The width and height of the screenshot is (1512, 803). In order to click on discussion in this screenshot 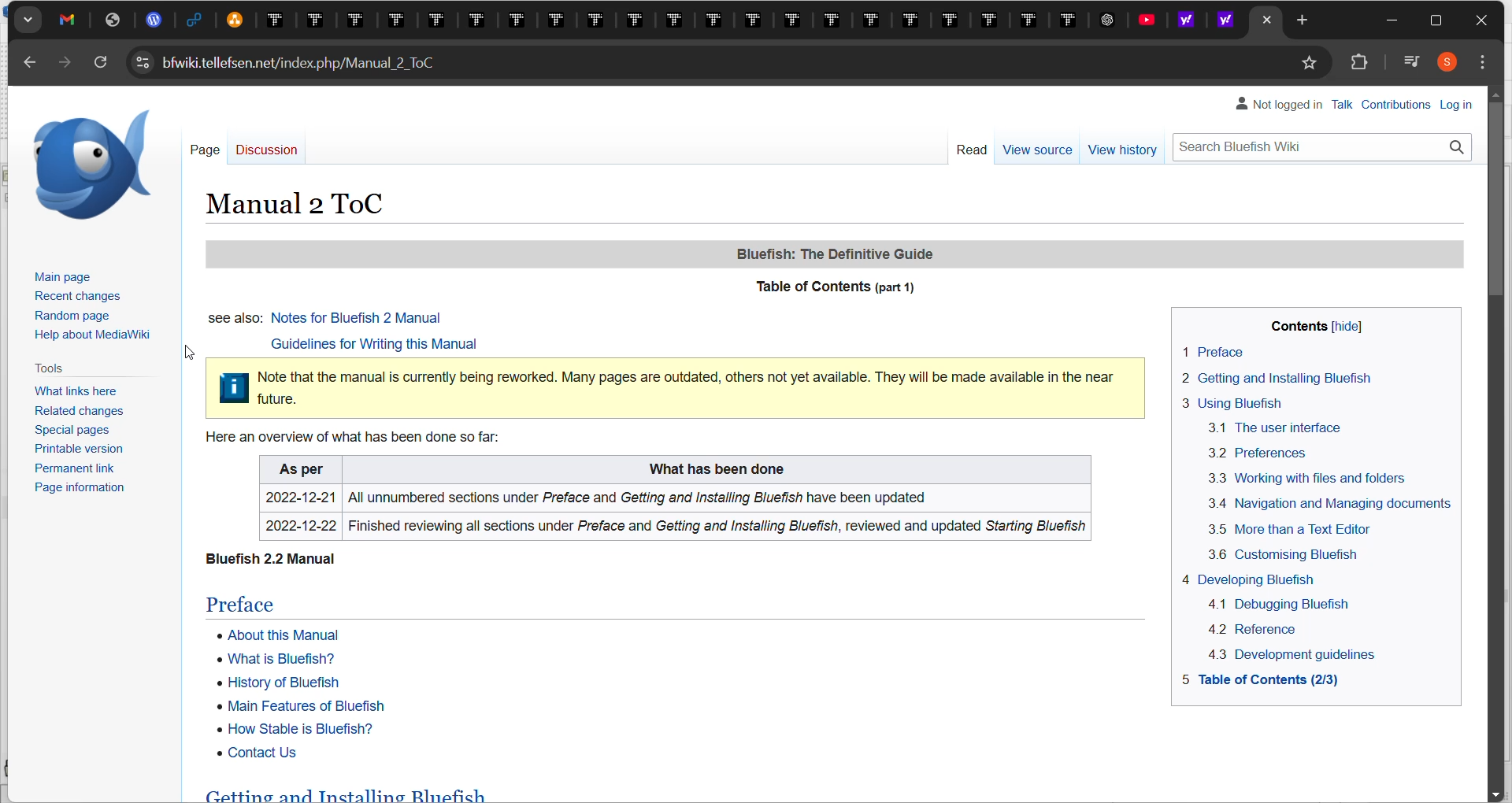, I will do `click(265, 154)`.